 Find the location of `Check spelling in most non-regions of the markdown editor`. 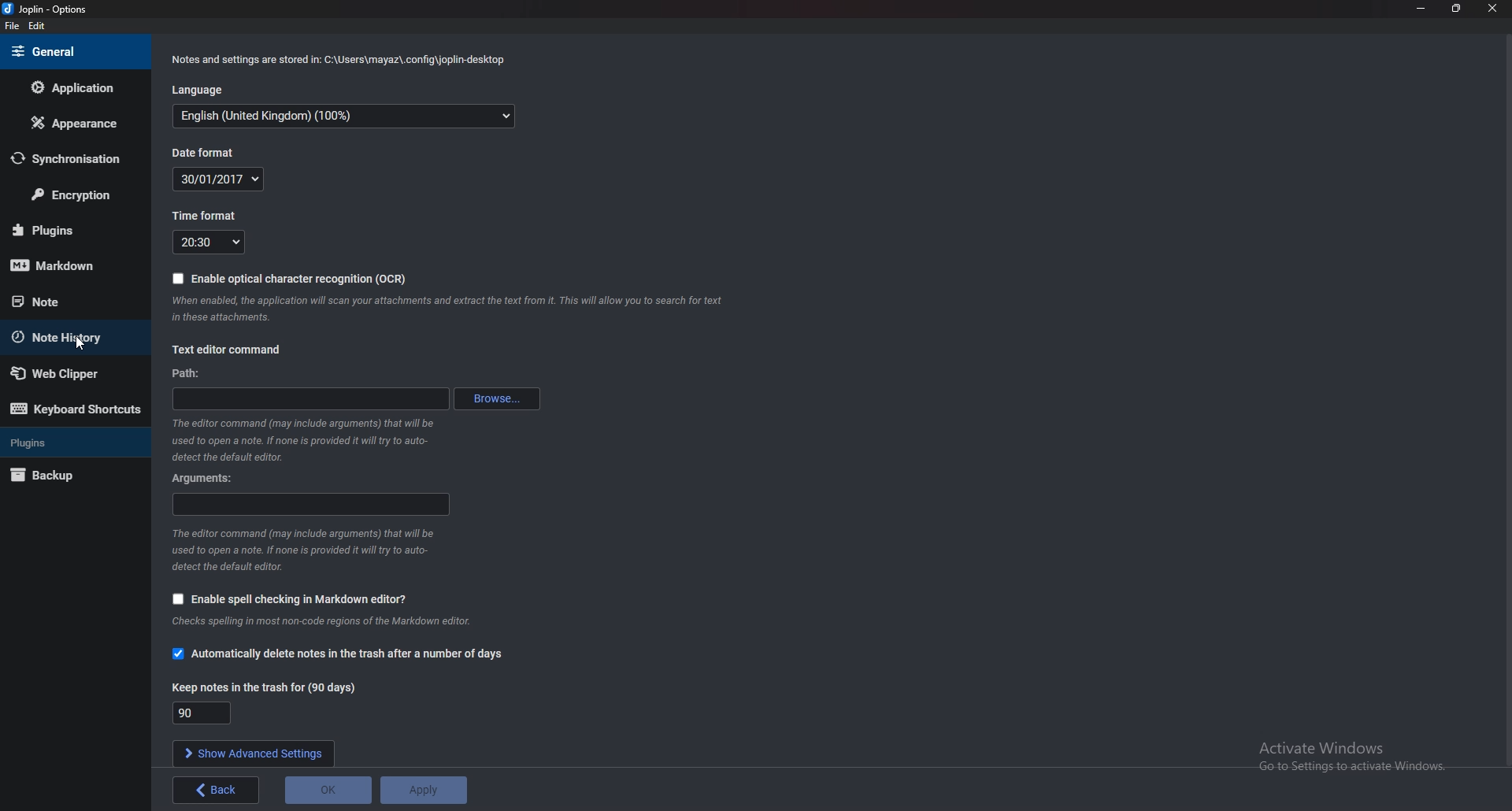

Check spelling in most non-regions of the markdown editor is located at coordinates (322, 620).